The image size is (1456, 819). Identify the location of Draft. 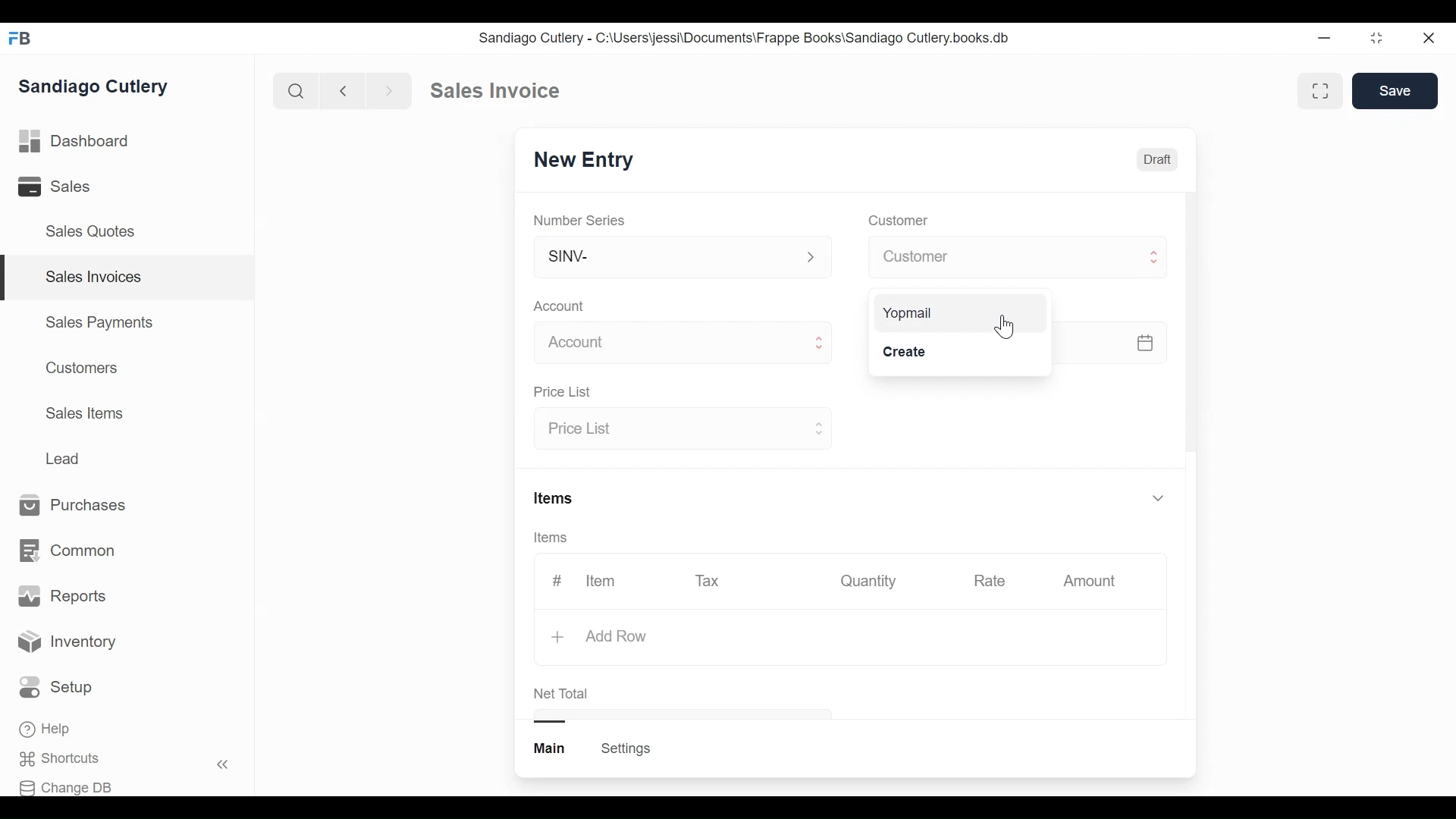
(1156, 159).